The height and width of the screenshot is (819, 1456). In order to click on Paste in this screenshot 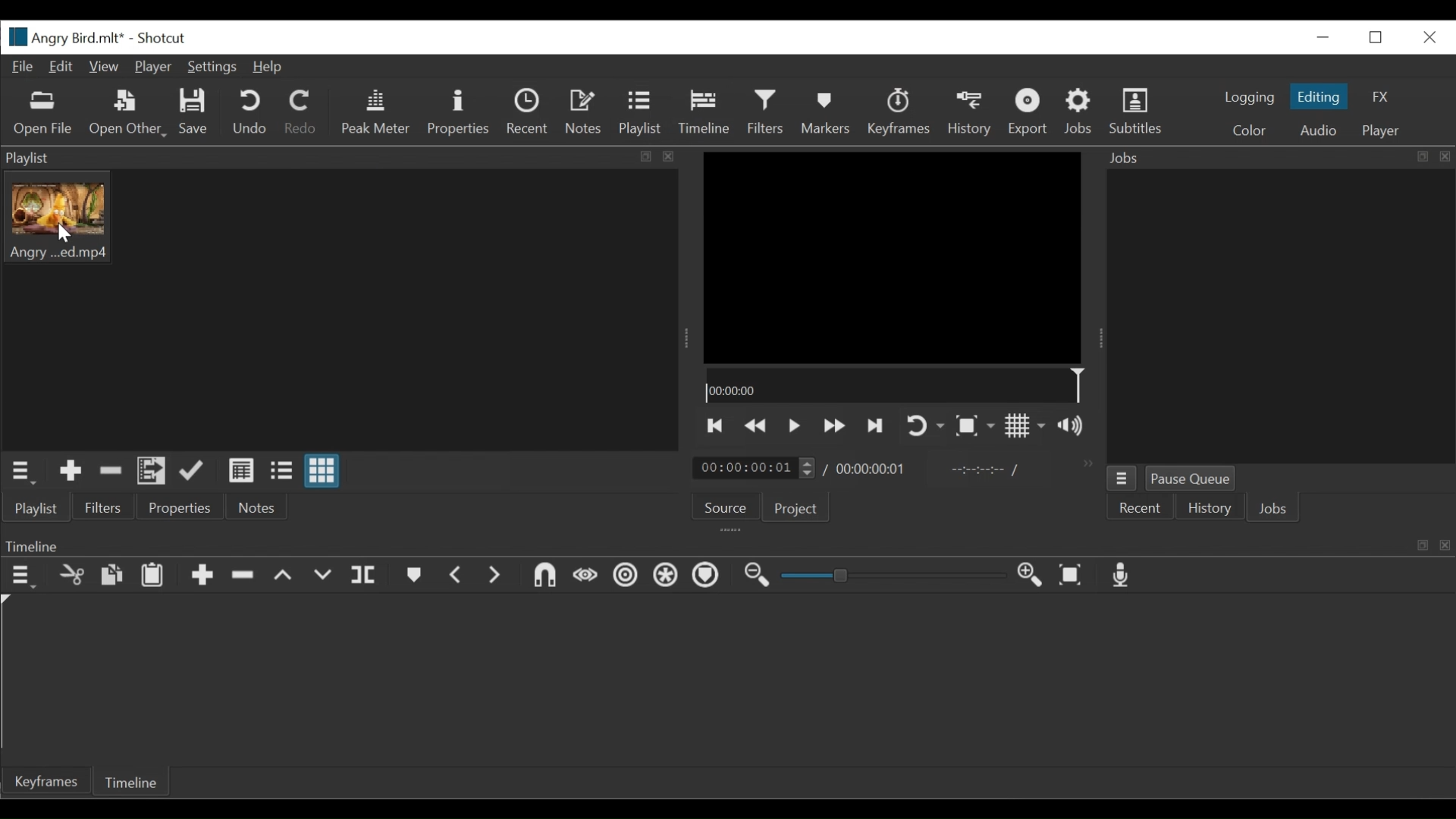, I will do `click(152, 576)`.